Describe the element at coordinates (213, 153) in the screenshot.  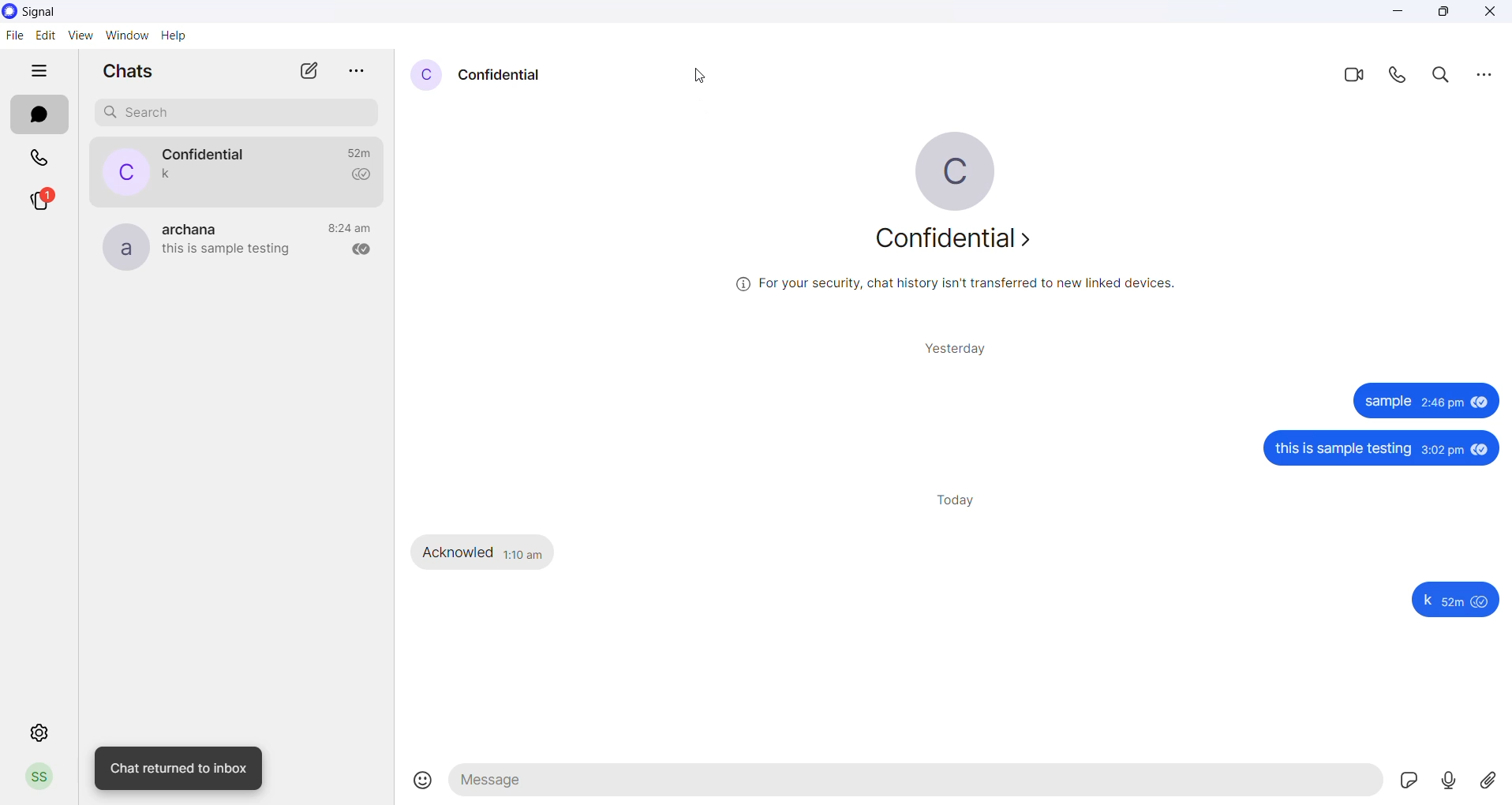
I see `contact name` at that location.